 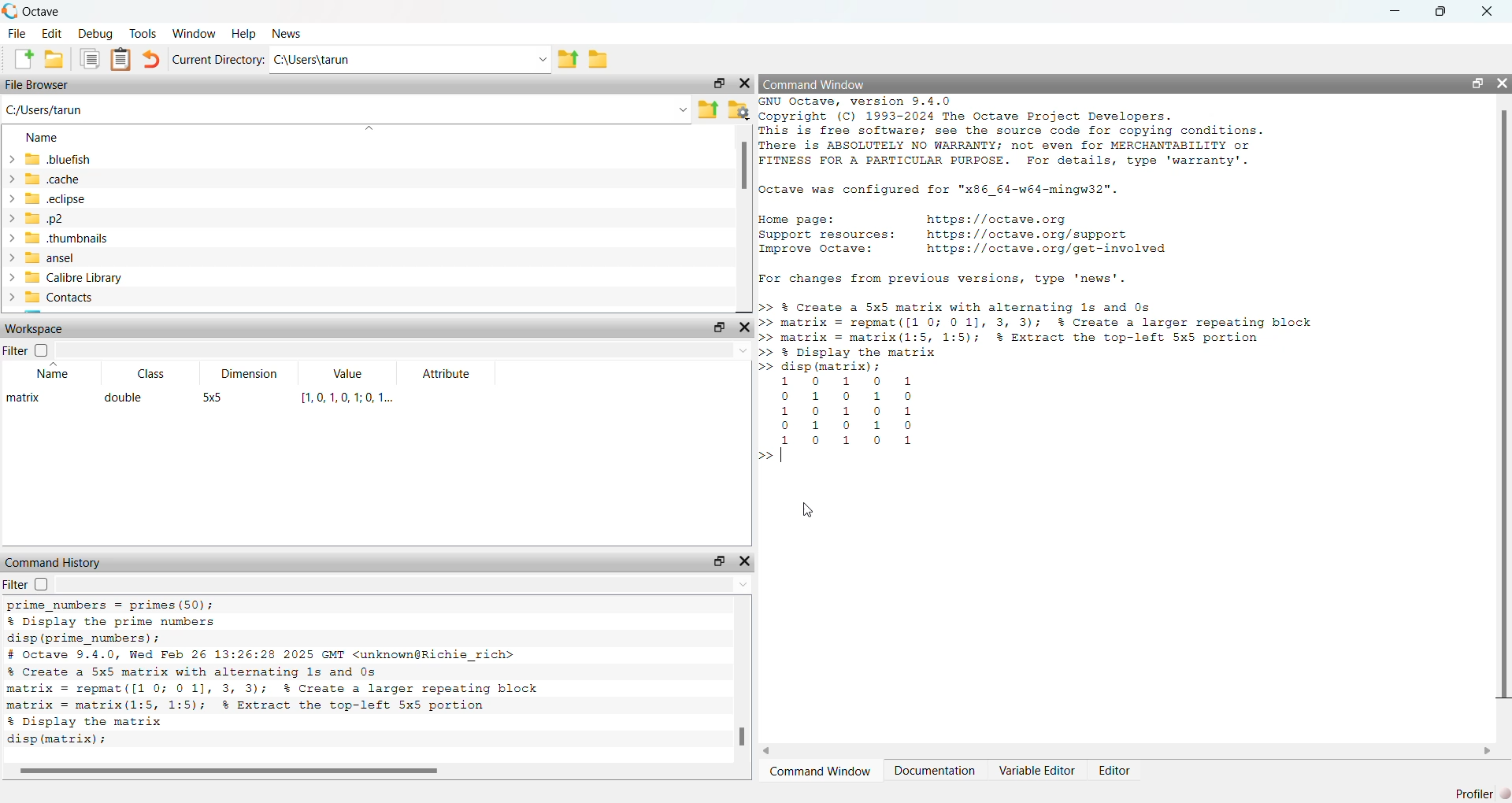 I want to click on >>, so click(x=764, y=455).